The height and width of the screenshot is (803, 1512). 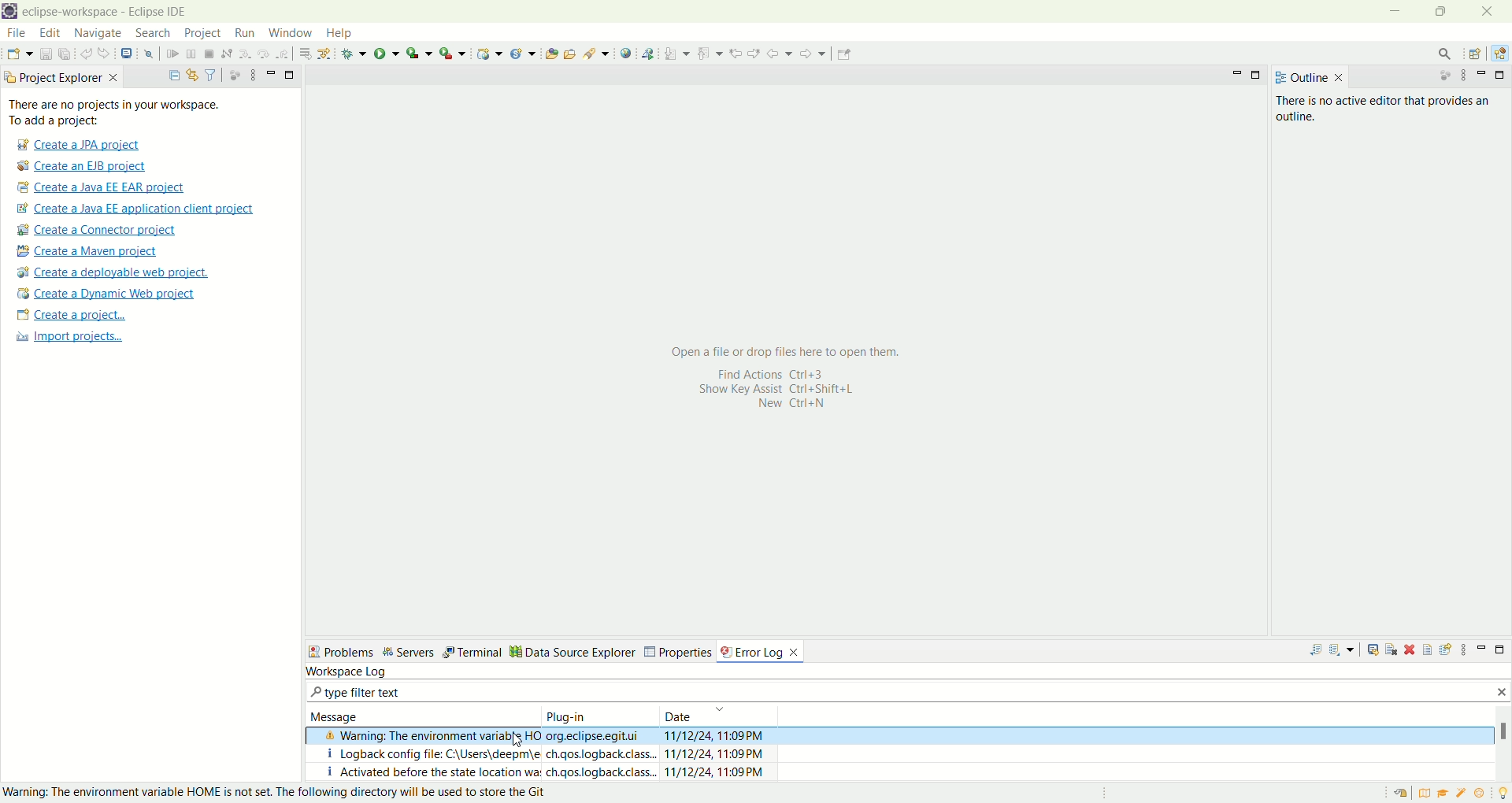 What do you see at coordinates (1473, 52) in the screenshot?
I see `open perspective` at bounding box center [1473, 52].